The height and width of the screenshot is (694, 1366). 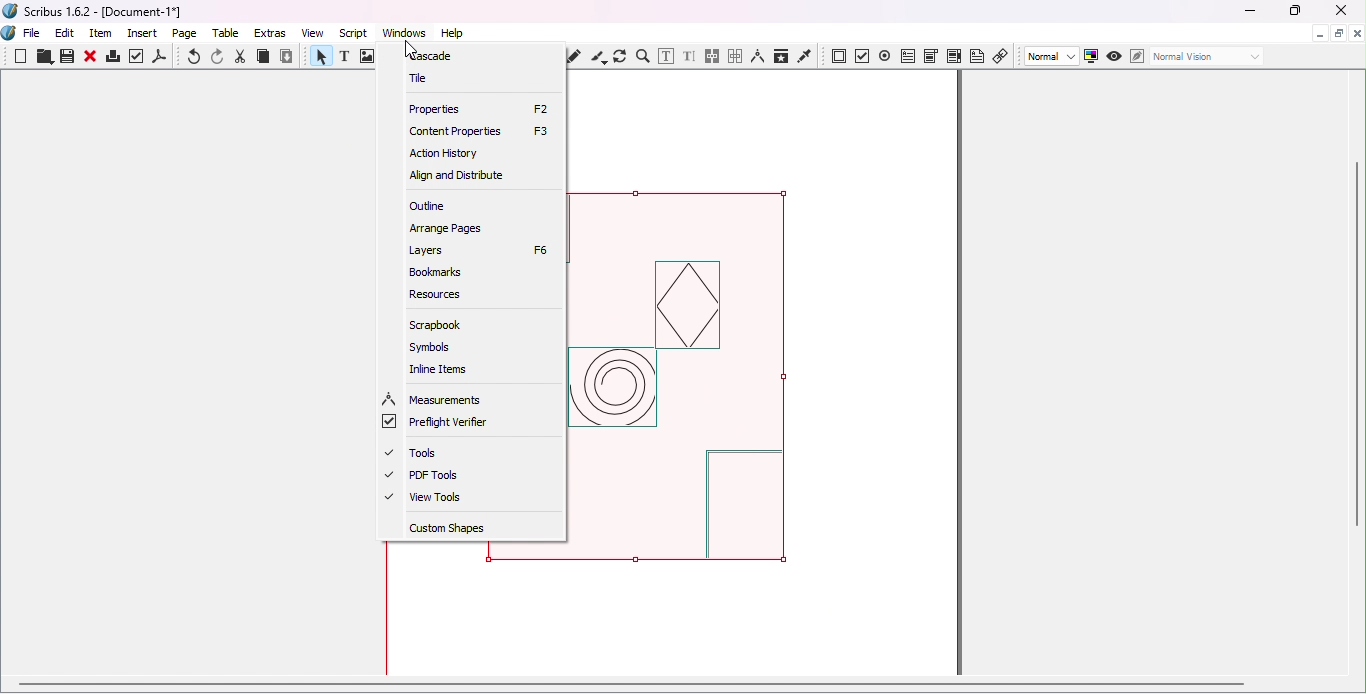 What do you see at coordinates (444, 228) in the screenshot?
I see `Arrange pages` at bounding box center [444, 228].